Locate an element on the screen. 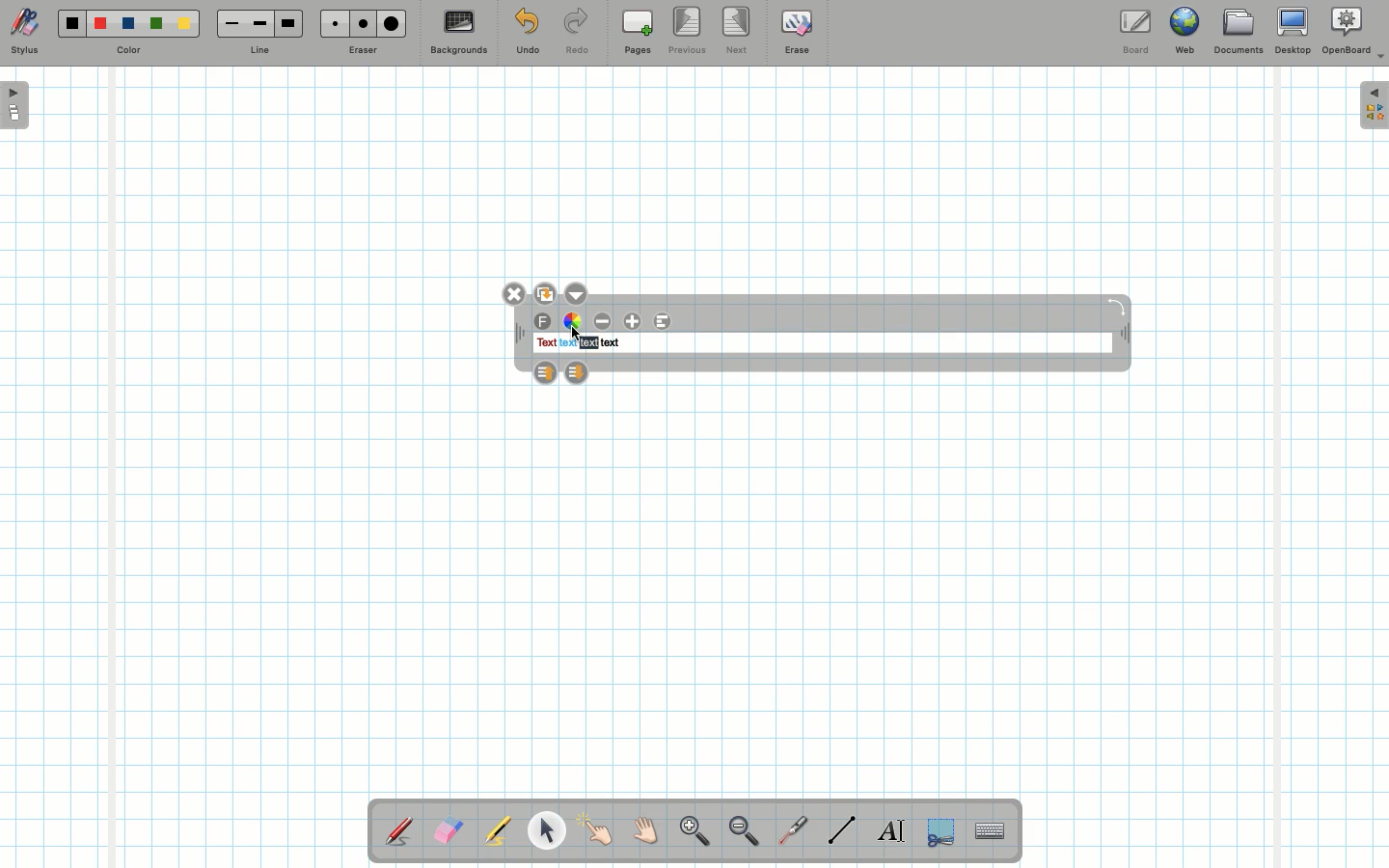 This screenshot has width=1389, height=868. Move is located at coordinates (520, 336).